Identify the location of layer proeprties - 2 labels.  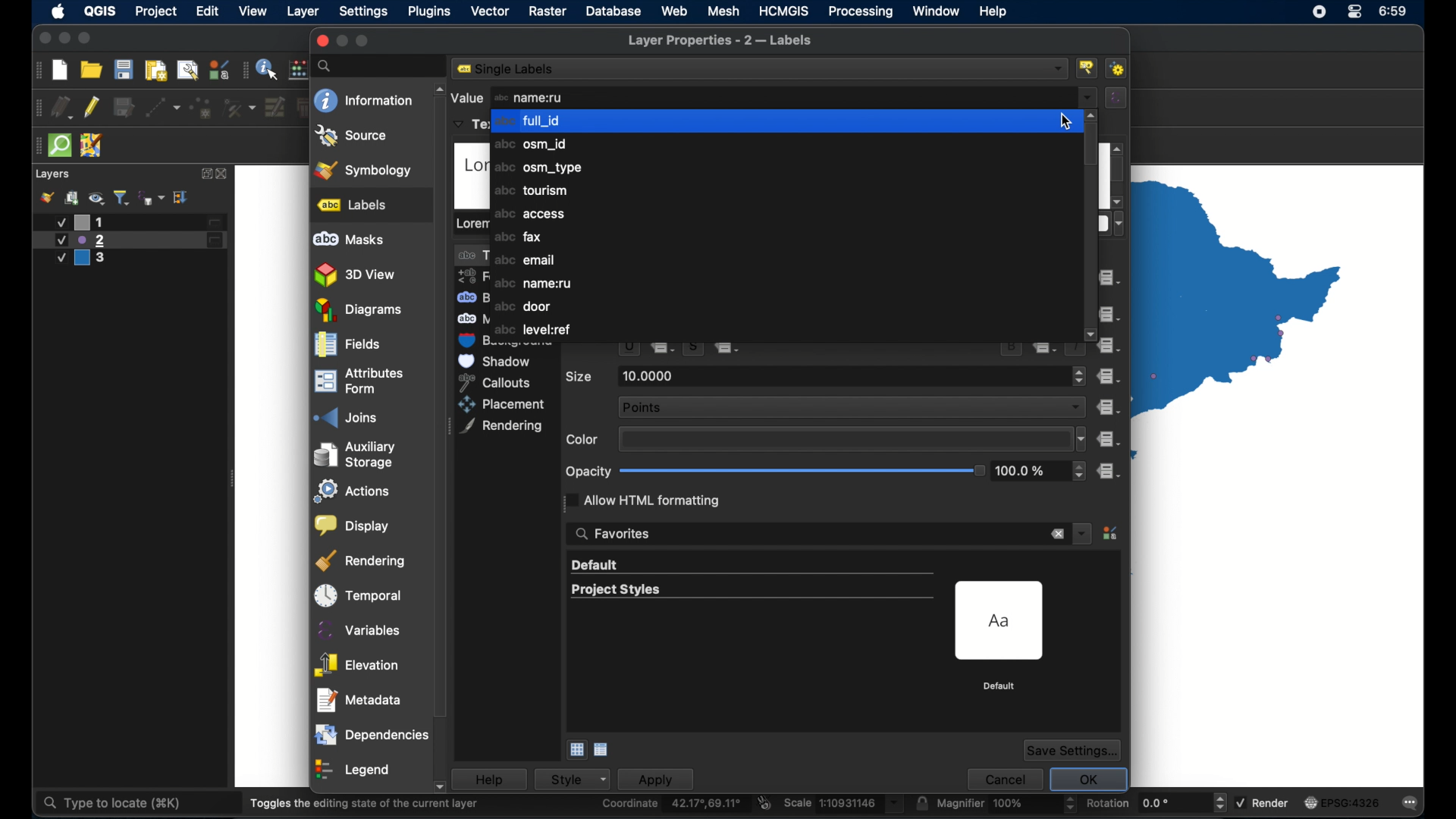
(720, 41).